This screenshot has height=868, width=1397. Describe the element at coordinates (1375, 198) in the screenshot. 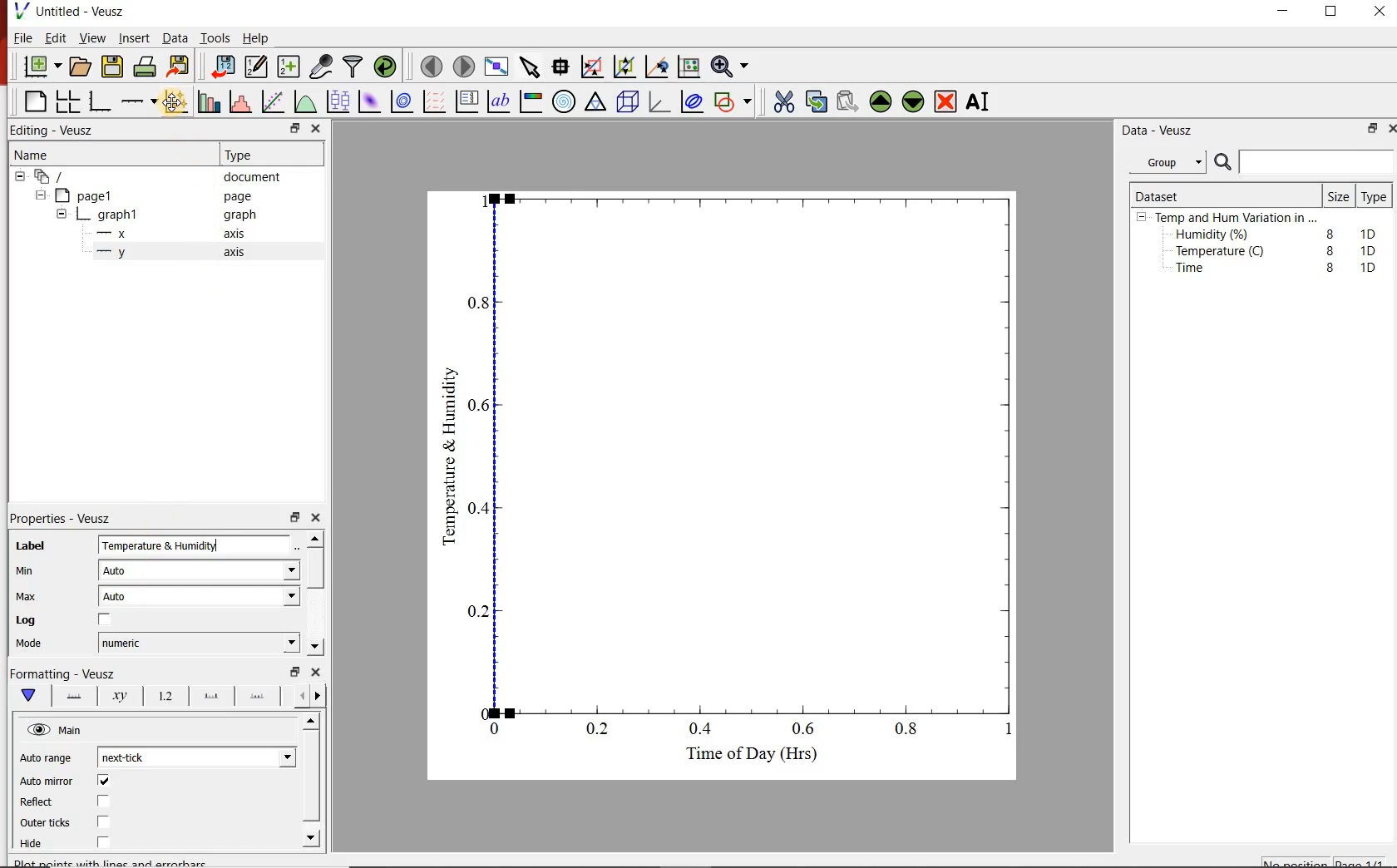

I see `Type` at that location.